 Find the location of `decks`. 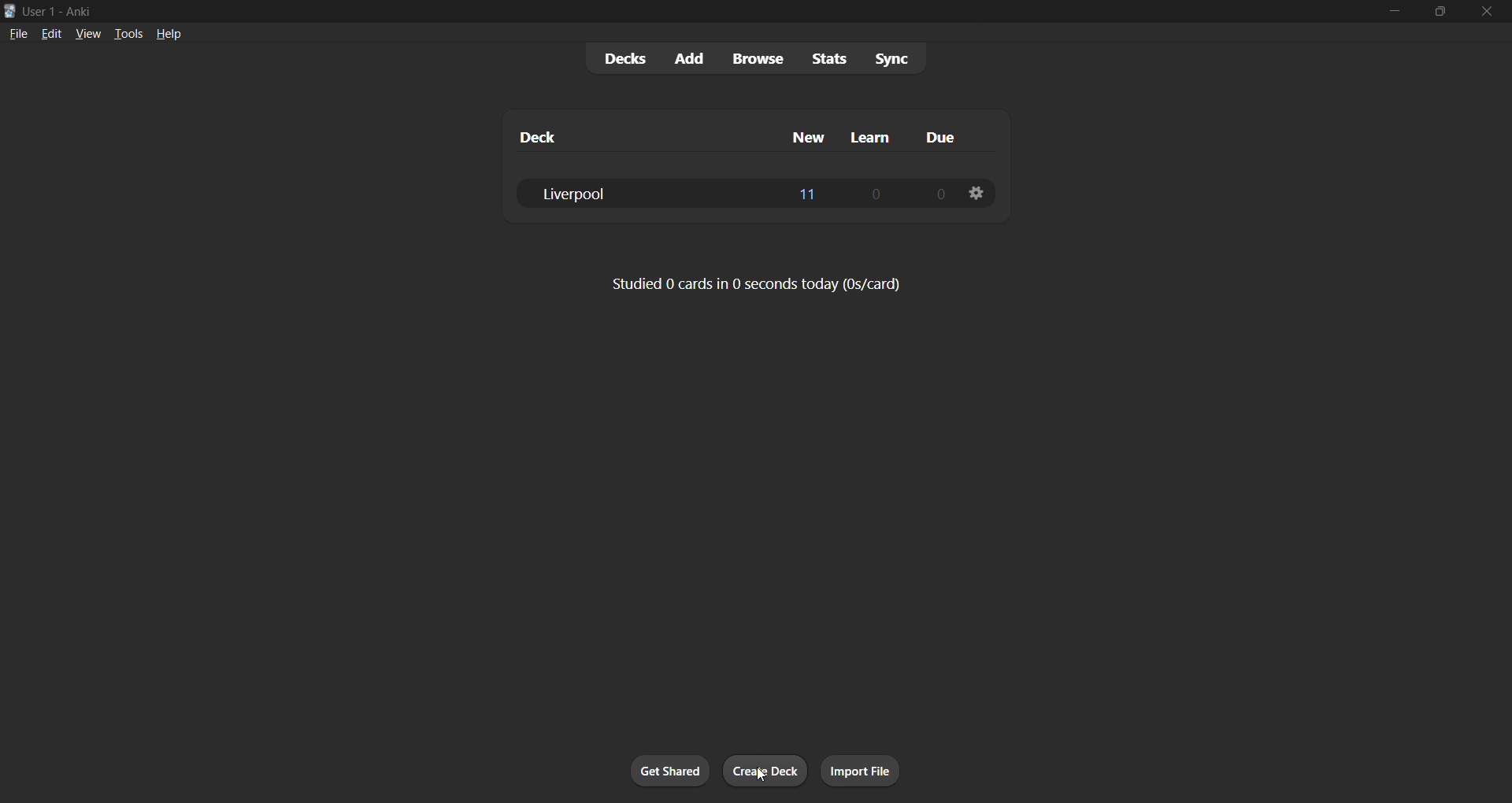

decks is located at coordinates (618, 57).